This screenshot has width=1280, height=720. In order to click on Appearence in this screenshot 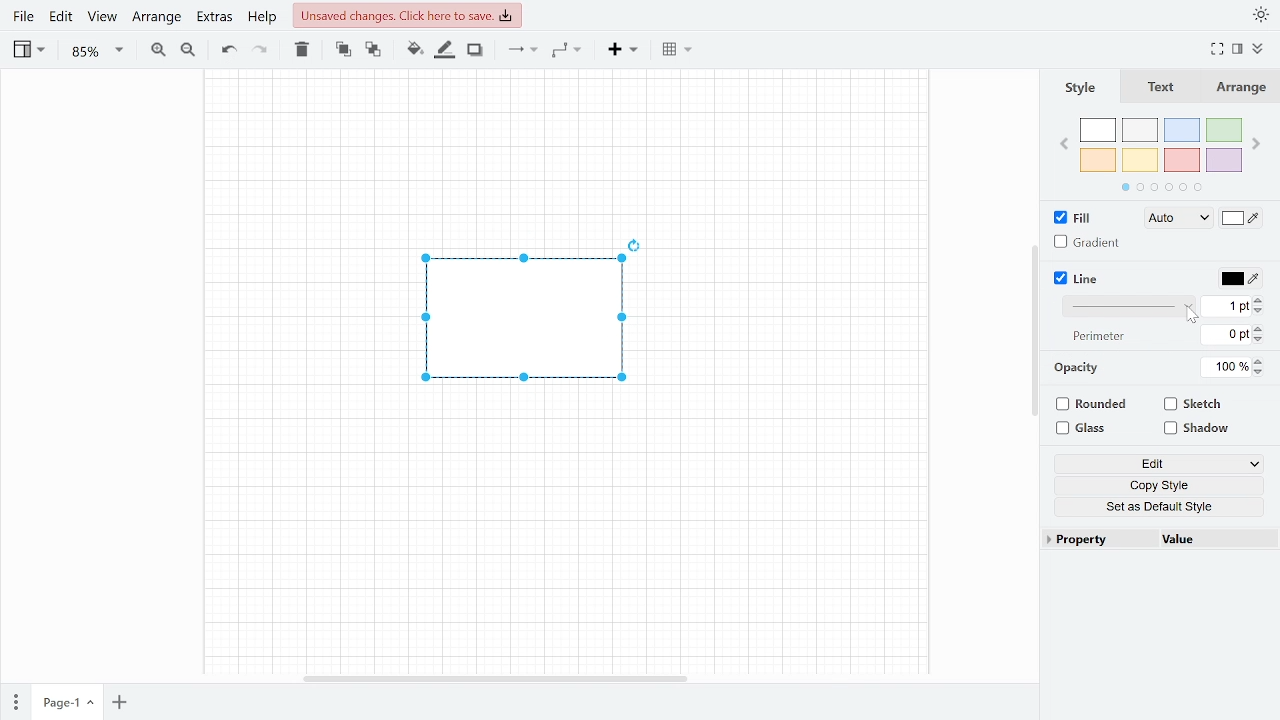, I will do `click(1262, 13)`.